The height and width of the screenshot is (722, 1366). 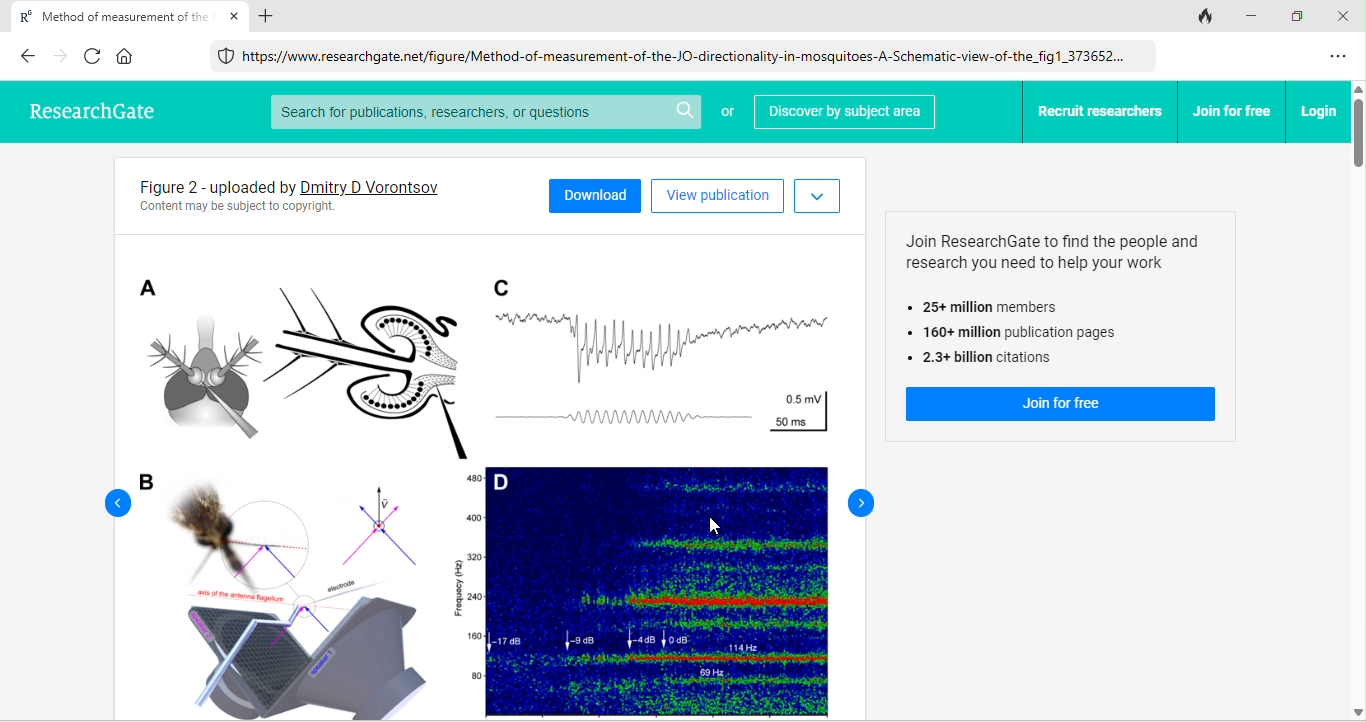 I want to click on option, so click(x=1340, y=57).